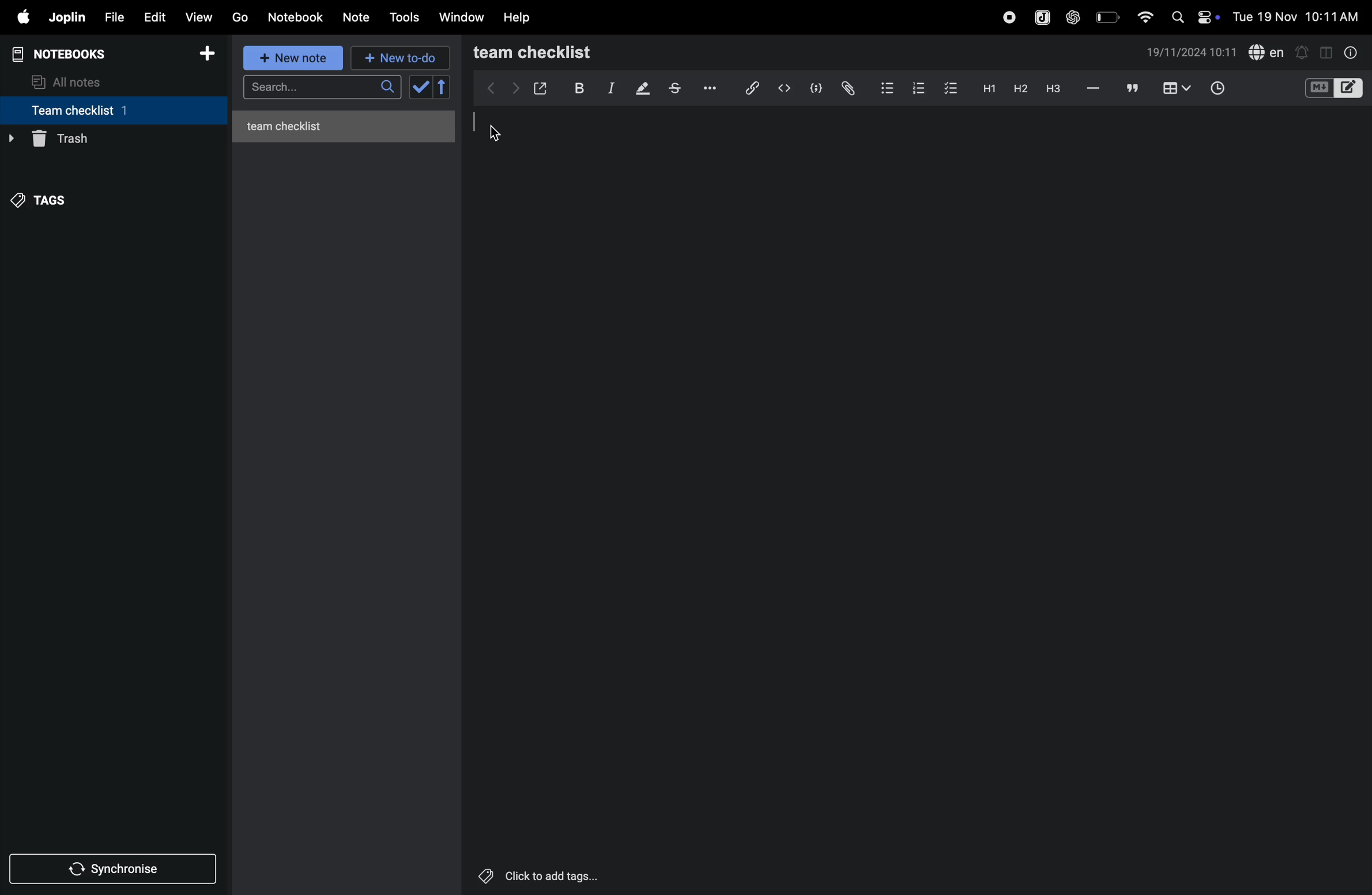 The width and height of the screenshot is (1372, 895). Describe the element at coordinates (674, 88) in the screenshot. I see `strike through` at that location.